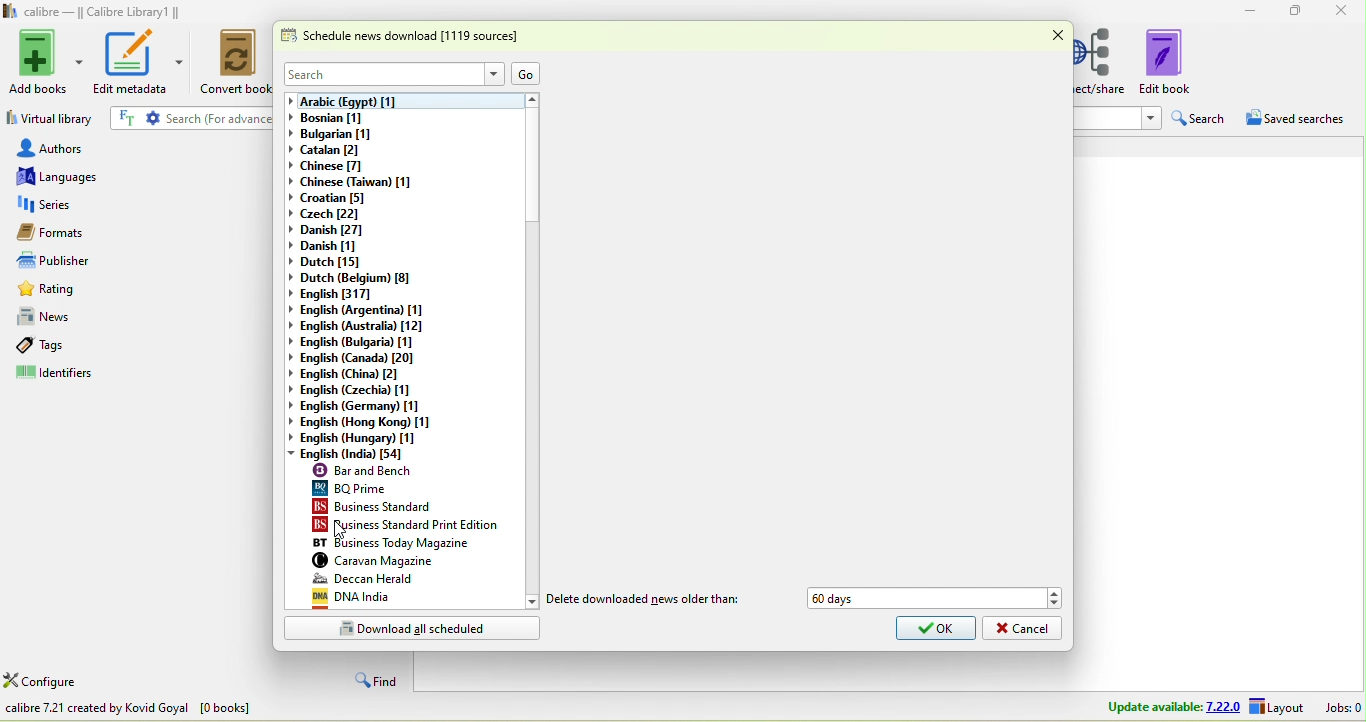 The image size is (1366, 722). I want to click on go, so click(528, 74).